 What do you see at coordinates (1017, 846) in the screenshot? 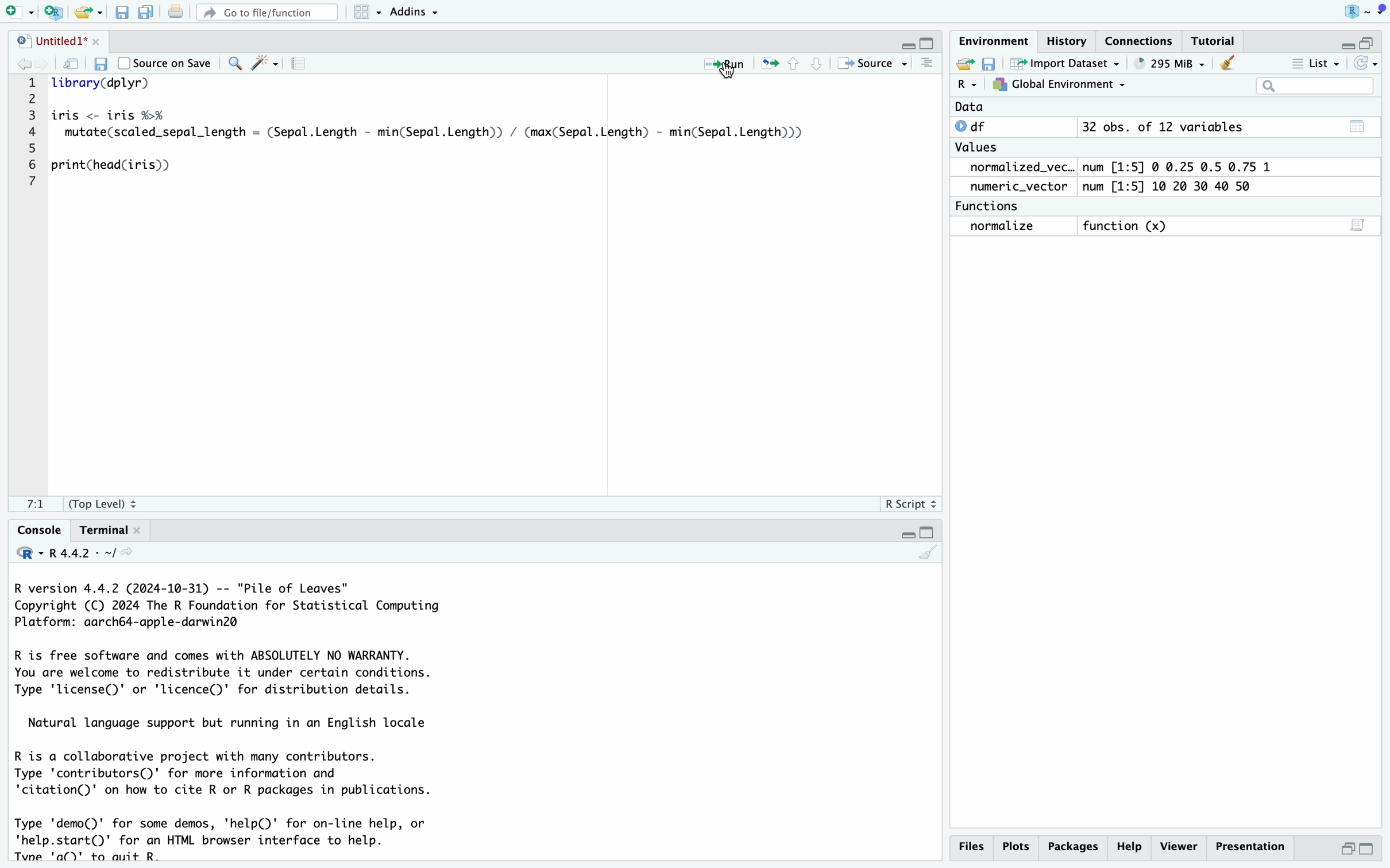
I see `Plots` at bounding box center [1017, 846].